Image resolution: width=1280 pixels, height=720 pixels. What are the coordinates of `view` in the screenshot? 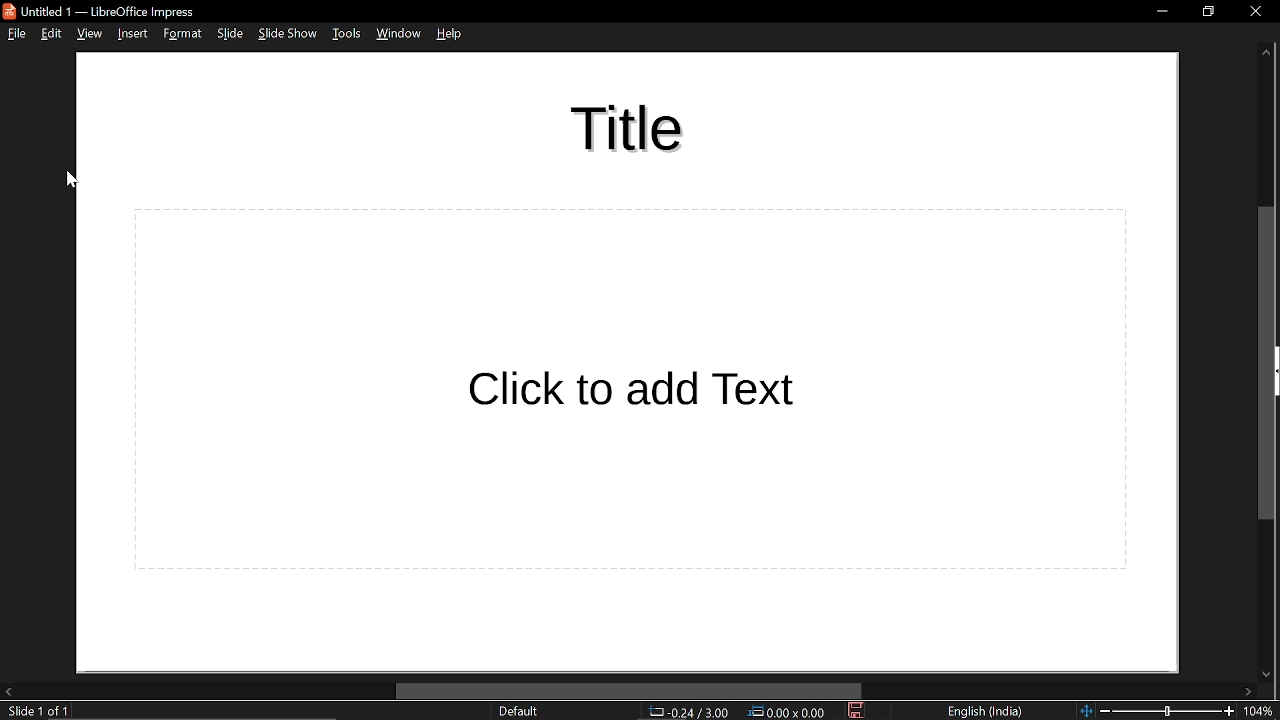 It's located at (94, 34).